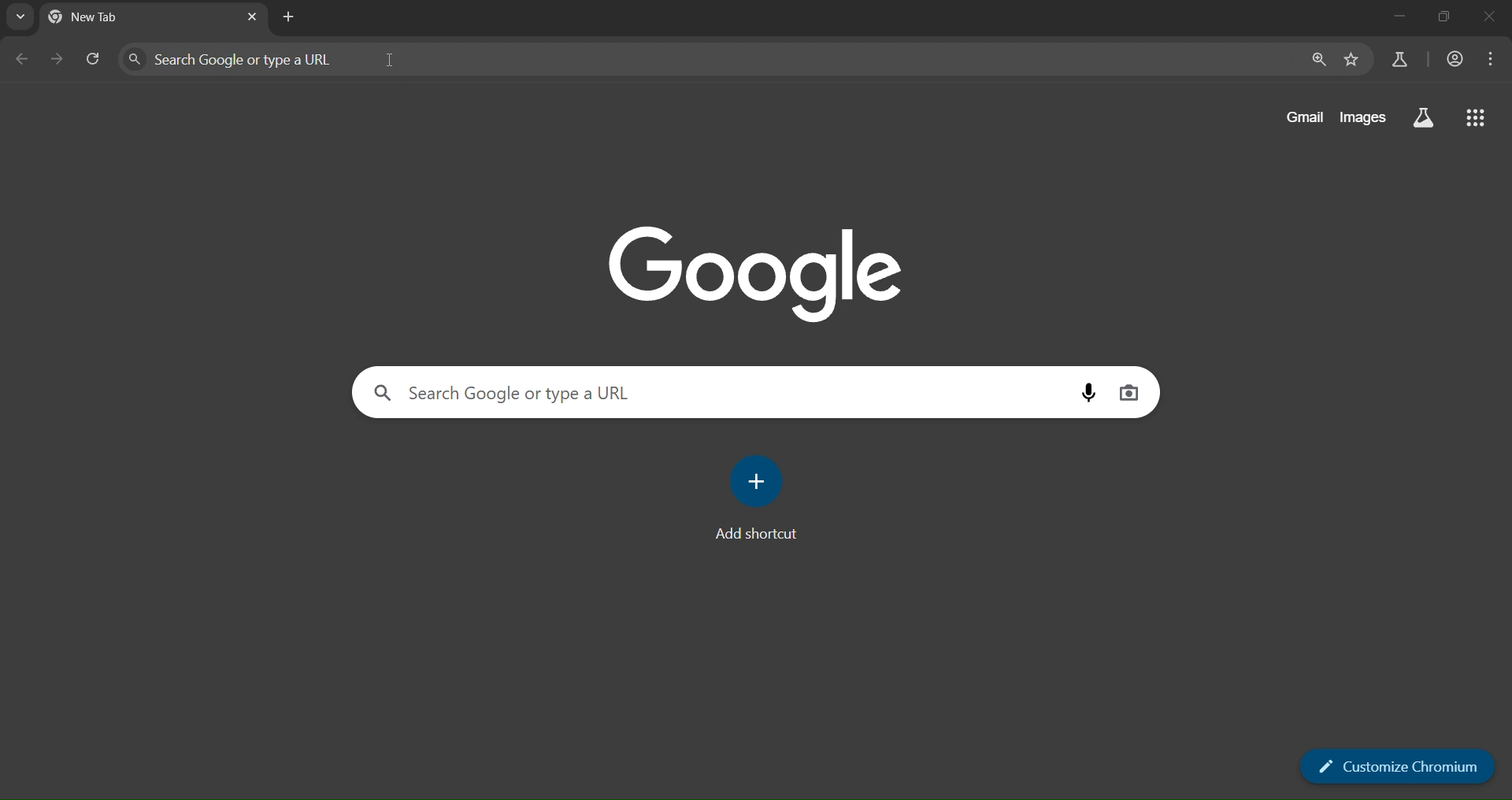  What do you see at coordinates (1444, 17) in the screenshot?
I see `full screen` at bounding box center [1444, 17].